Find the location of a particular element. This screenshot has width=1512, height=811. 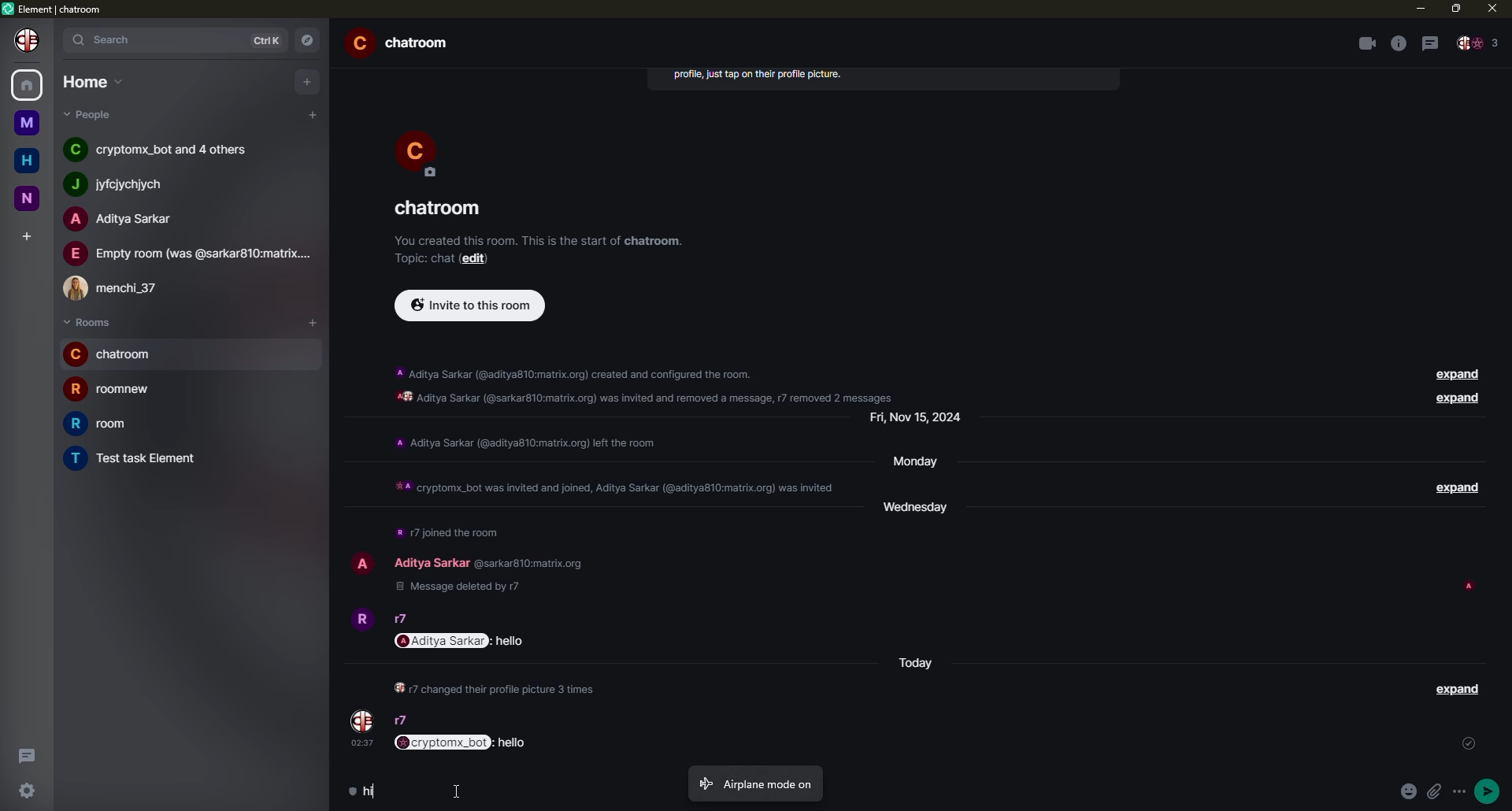

threads is located at coordinates (1430, 42).